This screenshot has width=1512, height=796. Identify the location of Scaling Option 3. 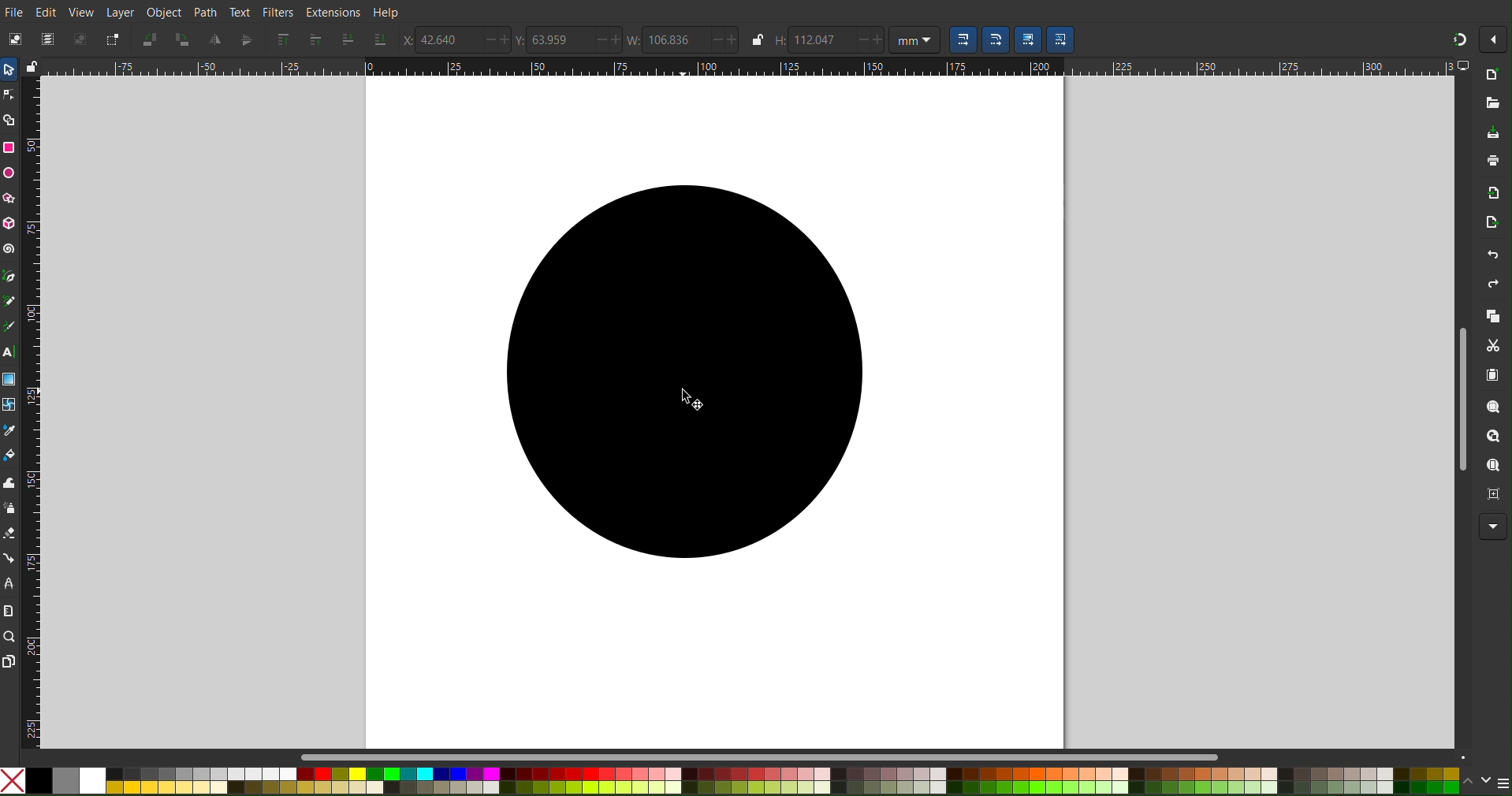
(1027, 40).